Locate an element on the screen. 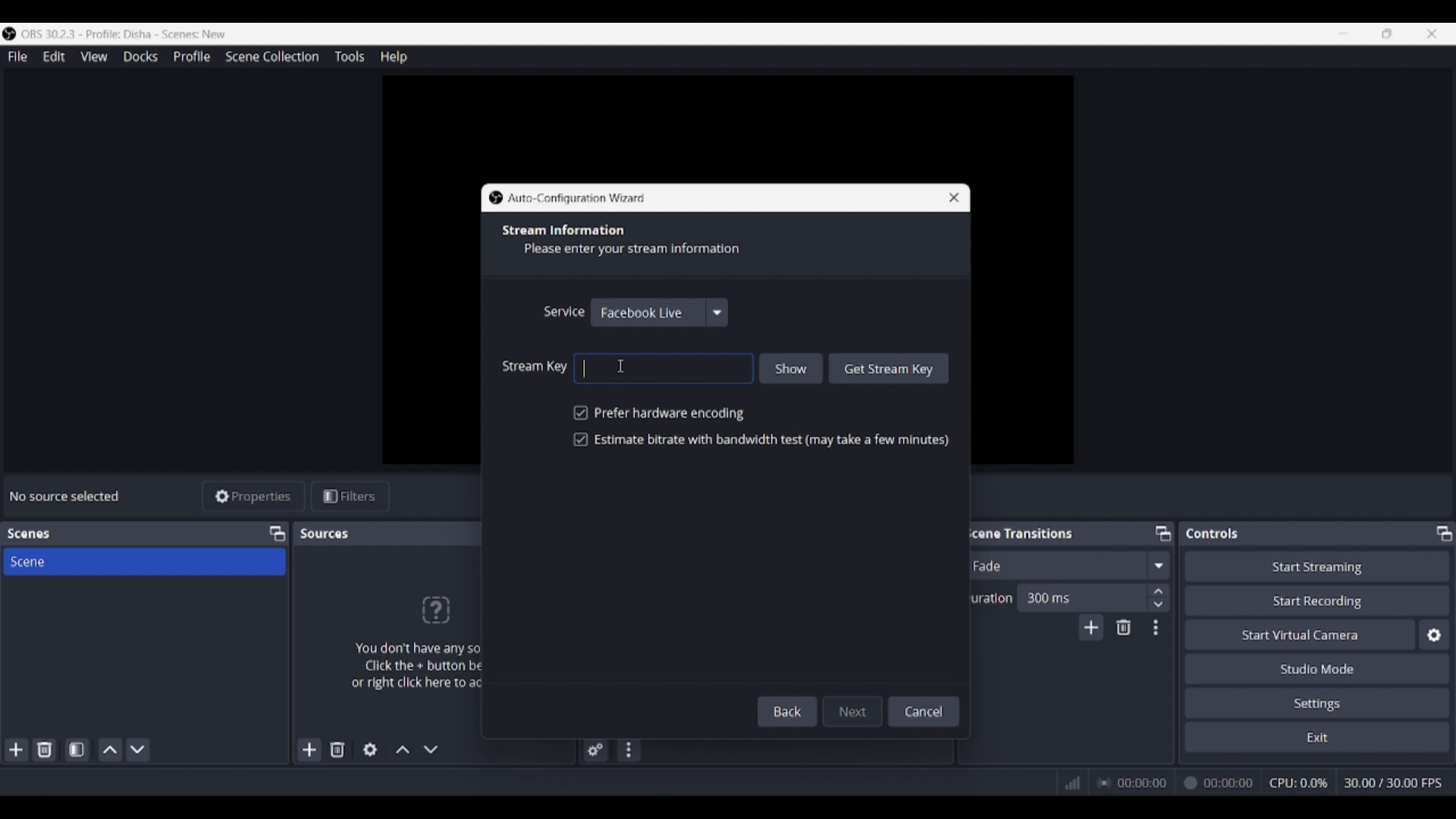  Cursor is located at coordinates (621, 368).